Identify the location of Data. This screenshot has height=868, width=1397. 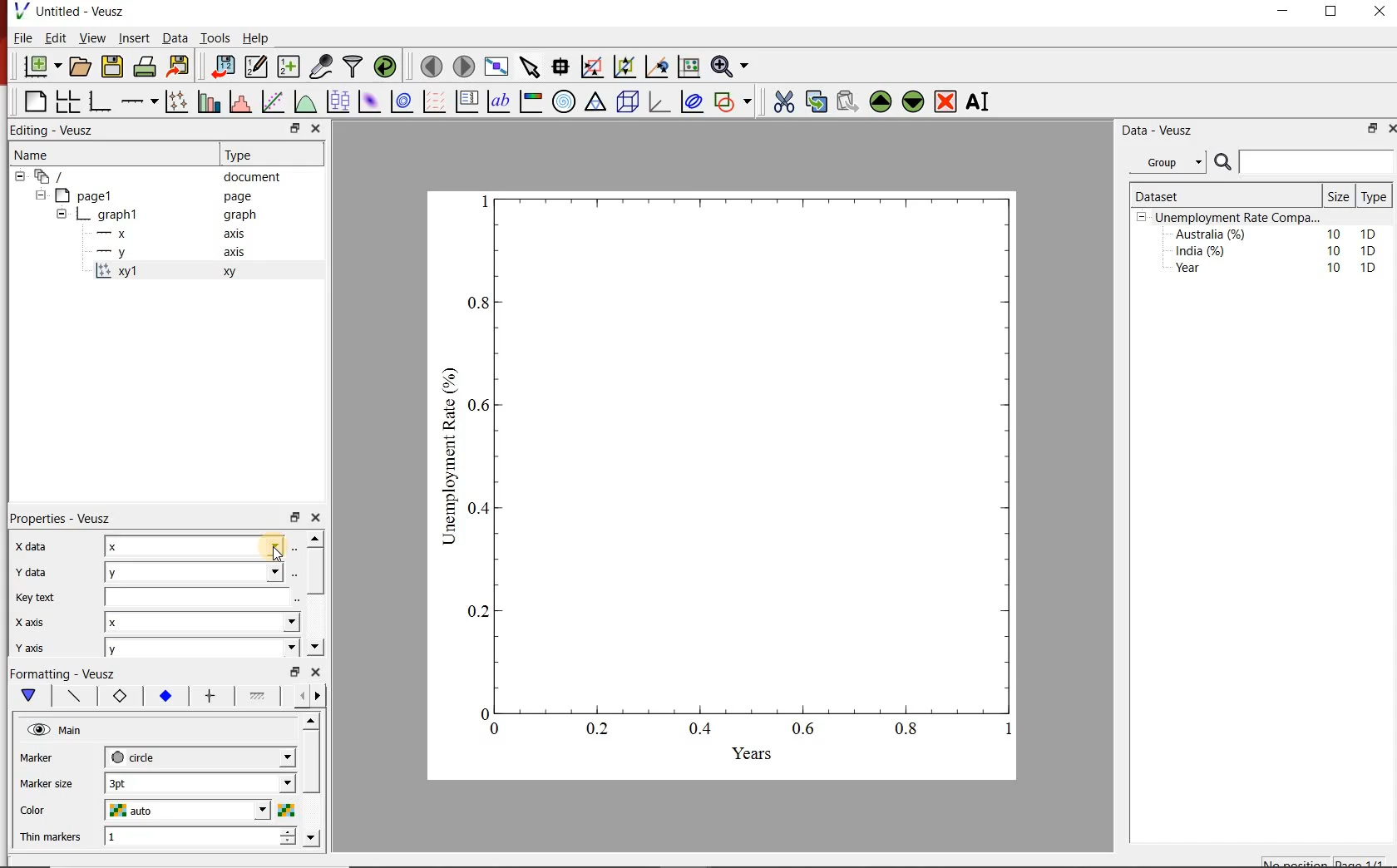
(175, 38).